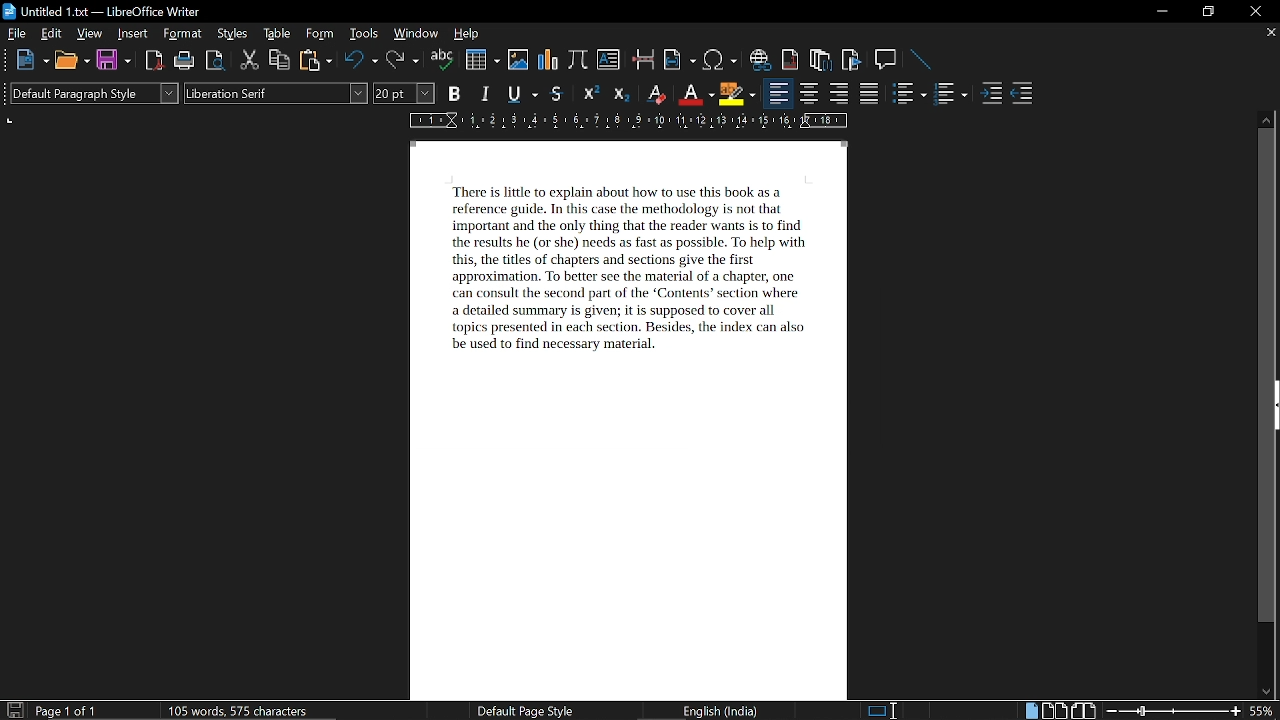 Image resolution: width=1280 pixels, height=720 pixels. Describe the element at coordinates (17, 33) in the screenshot. I see `file` at that location.